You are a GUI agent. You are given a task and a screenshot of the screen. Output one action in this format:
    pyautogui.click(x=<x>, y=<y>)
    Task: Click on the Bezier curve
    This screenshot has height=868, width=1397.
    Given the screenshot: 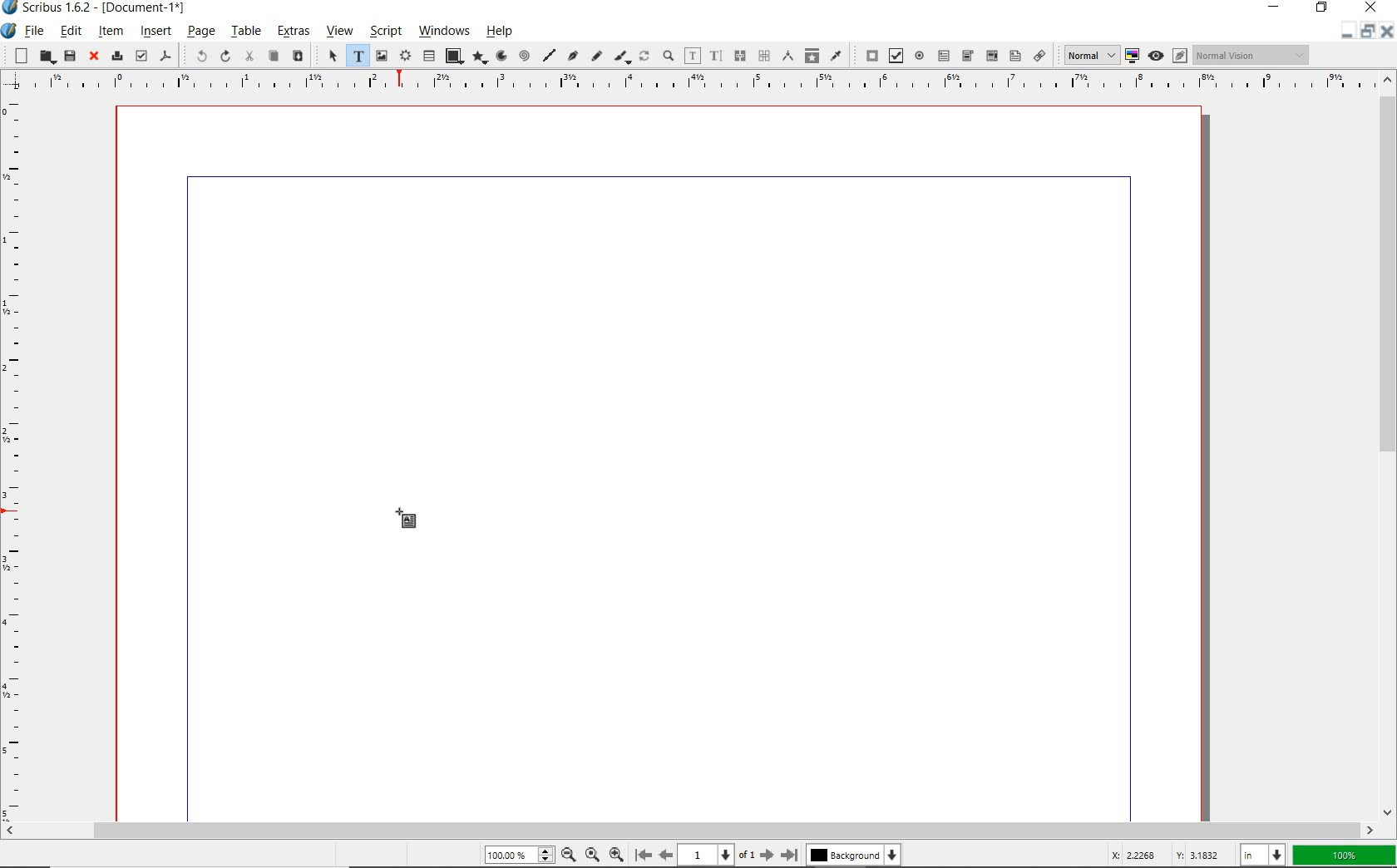 What is the action you would take?
    pyautogui.click(x=572, y=57)
    